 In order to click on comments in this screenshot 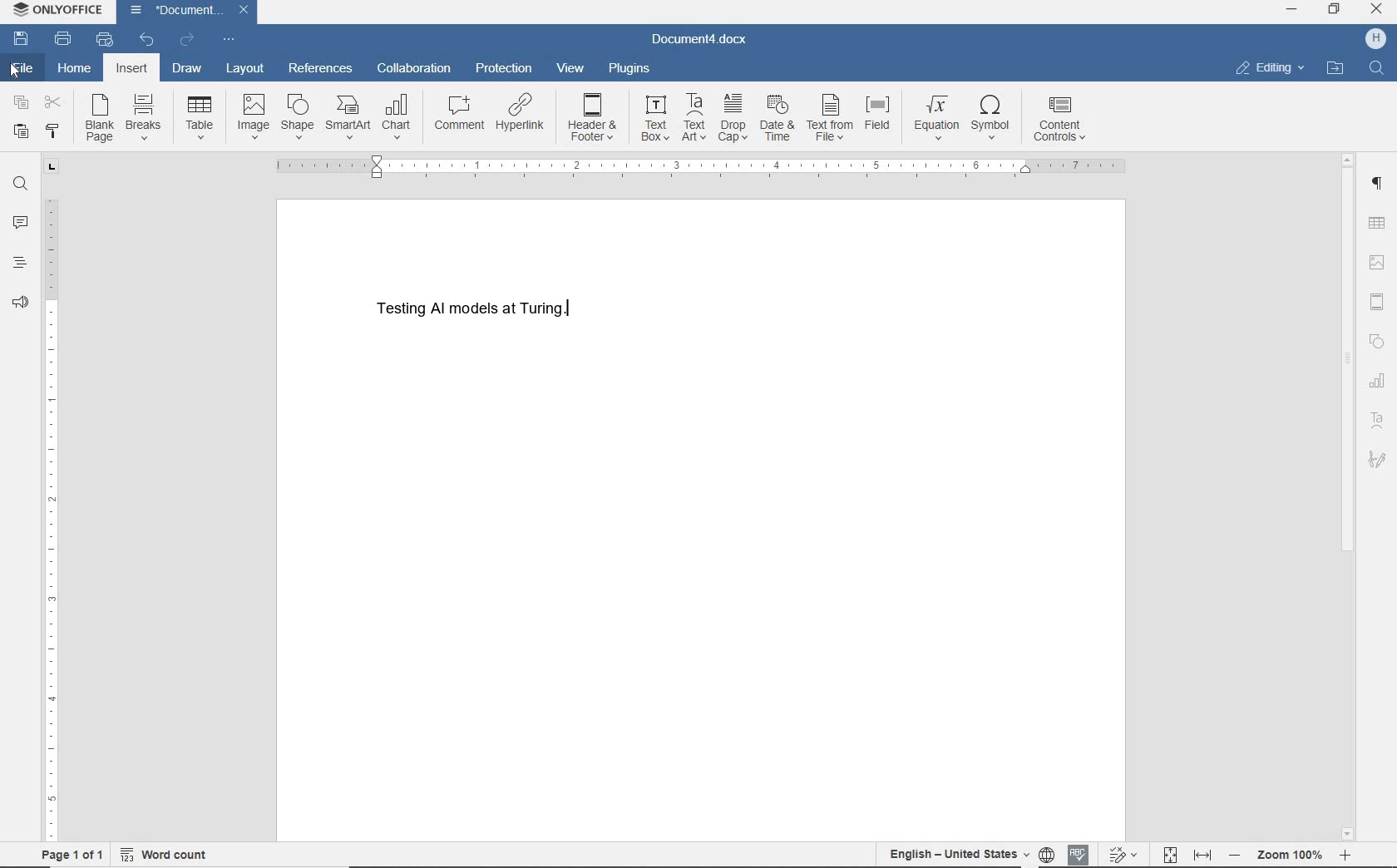, I will do `click(22, 223)`.